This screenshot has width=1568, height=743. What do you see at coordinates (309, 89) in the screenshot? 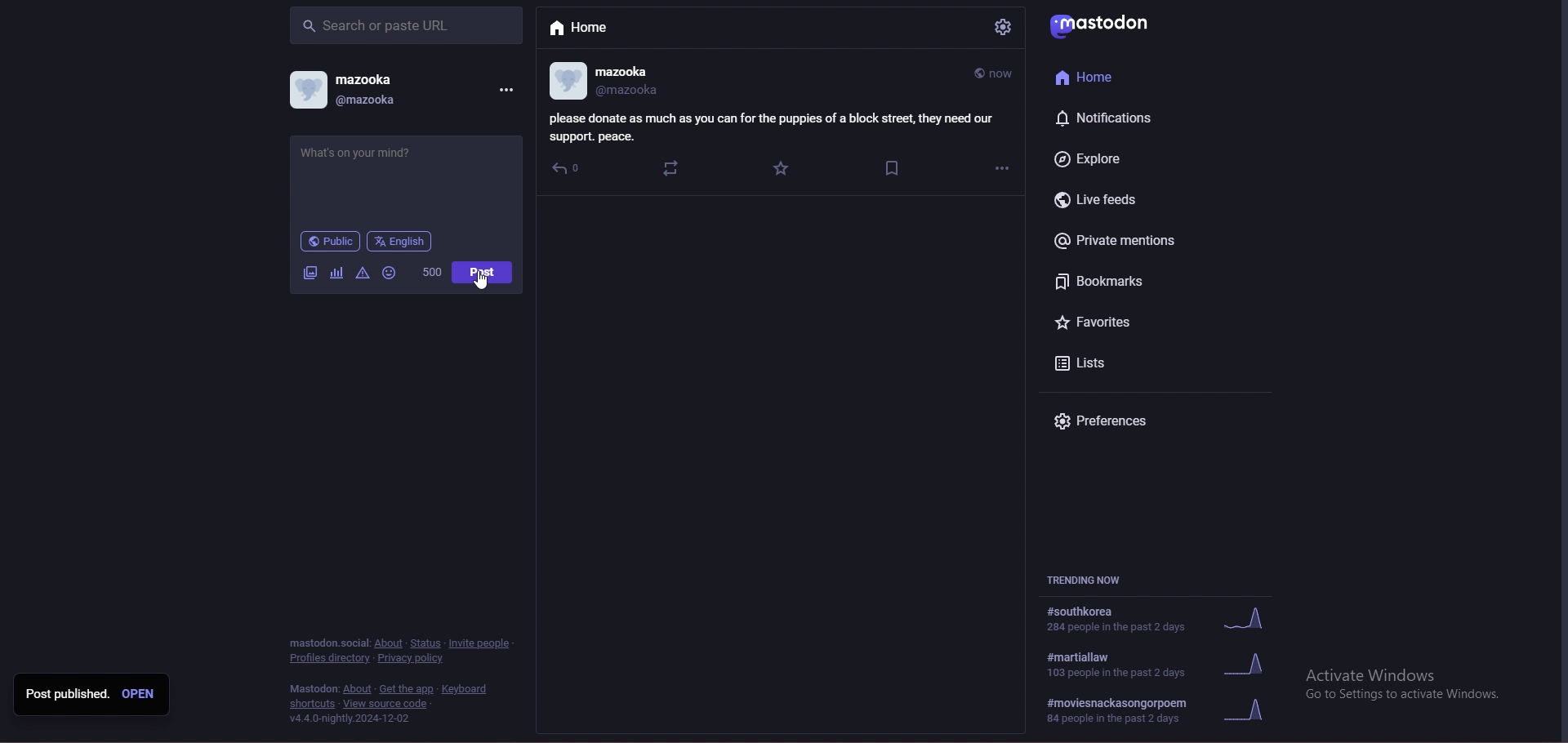
I see `profile` at bounding box center [309, 89].